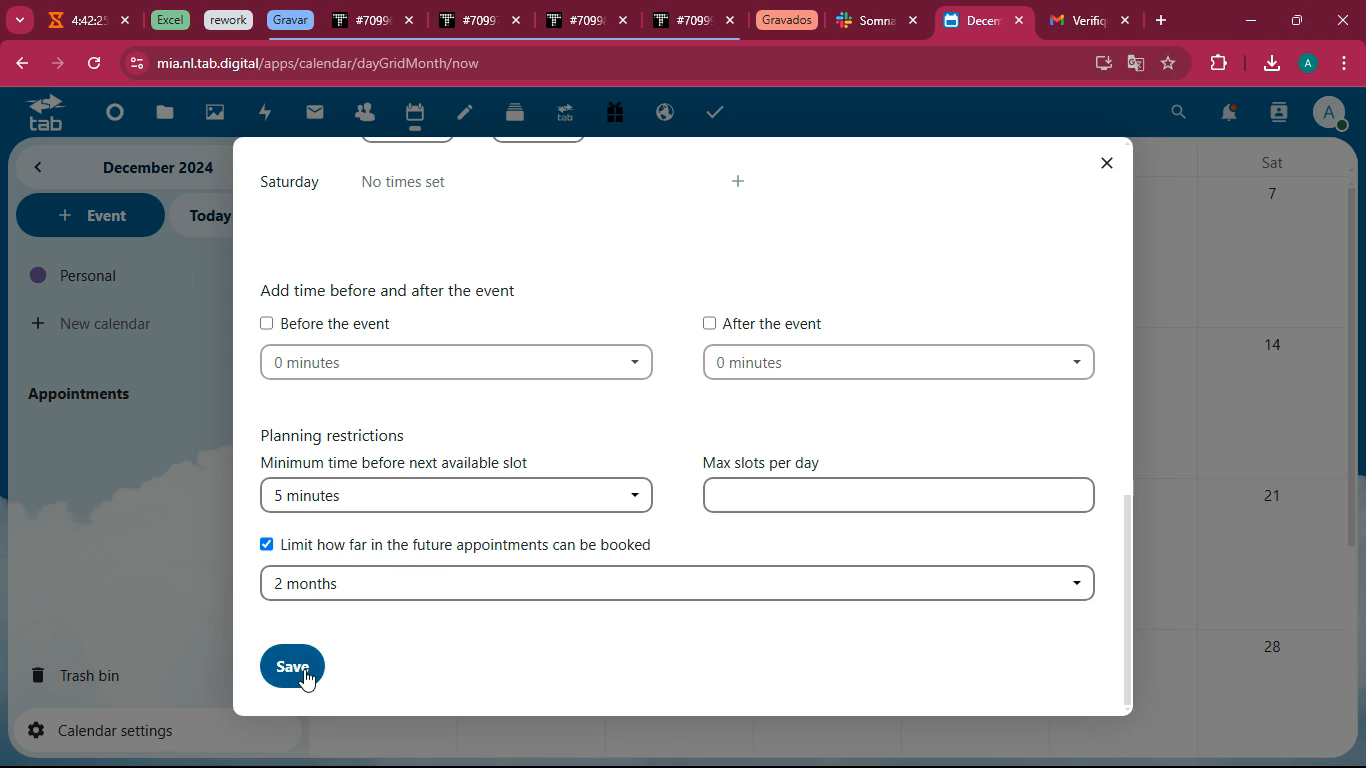  What do you see at coordinates (110, 114) in the screenshot?
I see `beginning` at bounding box center [110, 114].